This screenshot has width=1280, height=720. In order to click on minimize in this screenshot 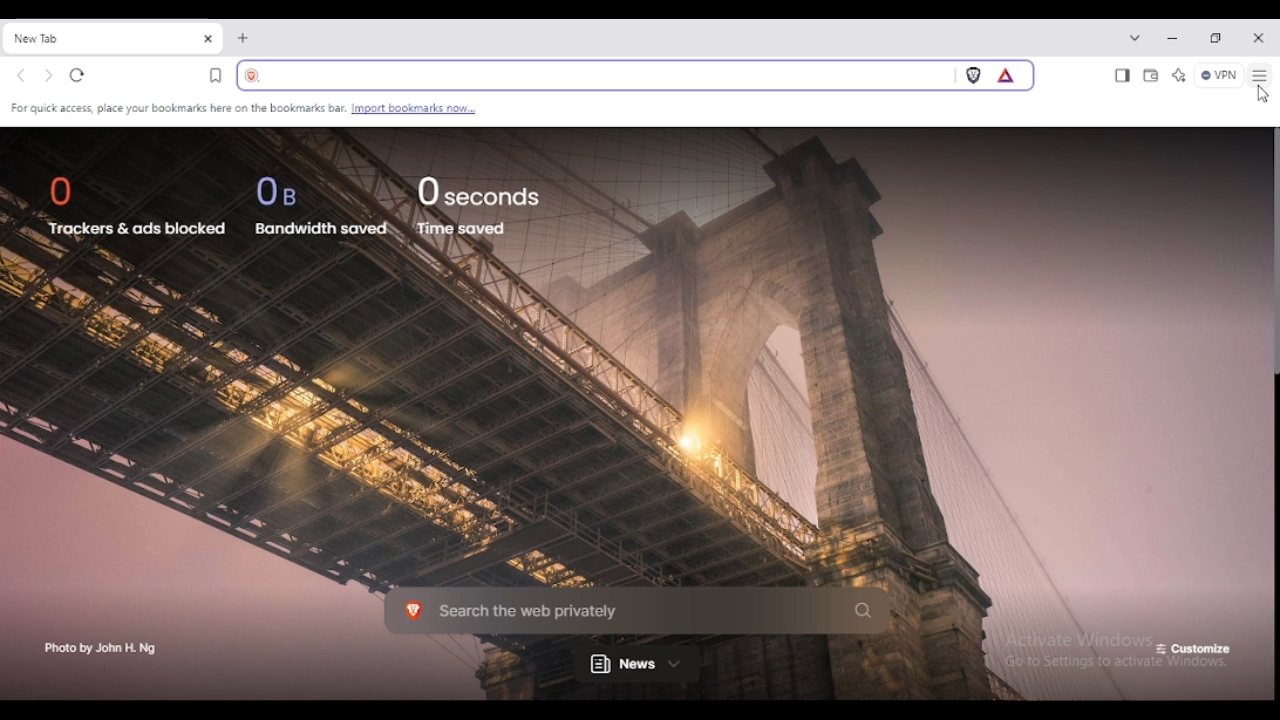, I will do `click(1173, 38)`.